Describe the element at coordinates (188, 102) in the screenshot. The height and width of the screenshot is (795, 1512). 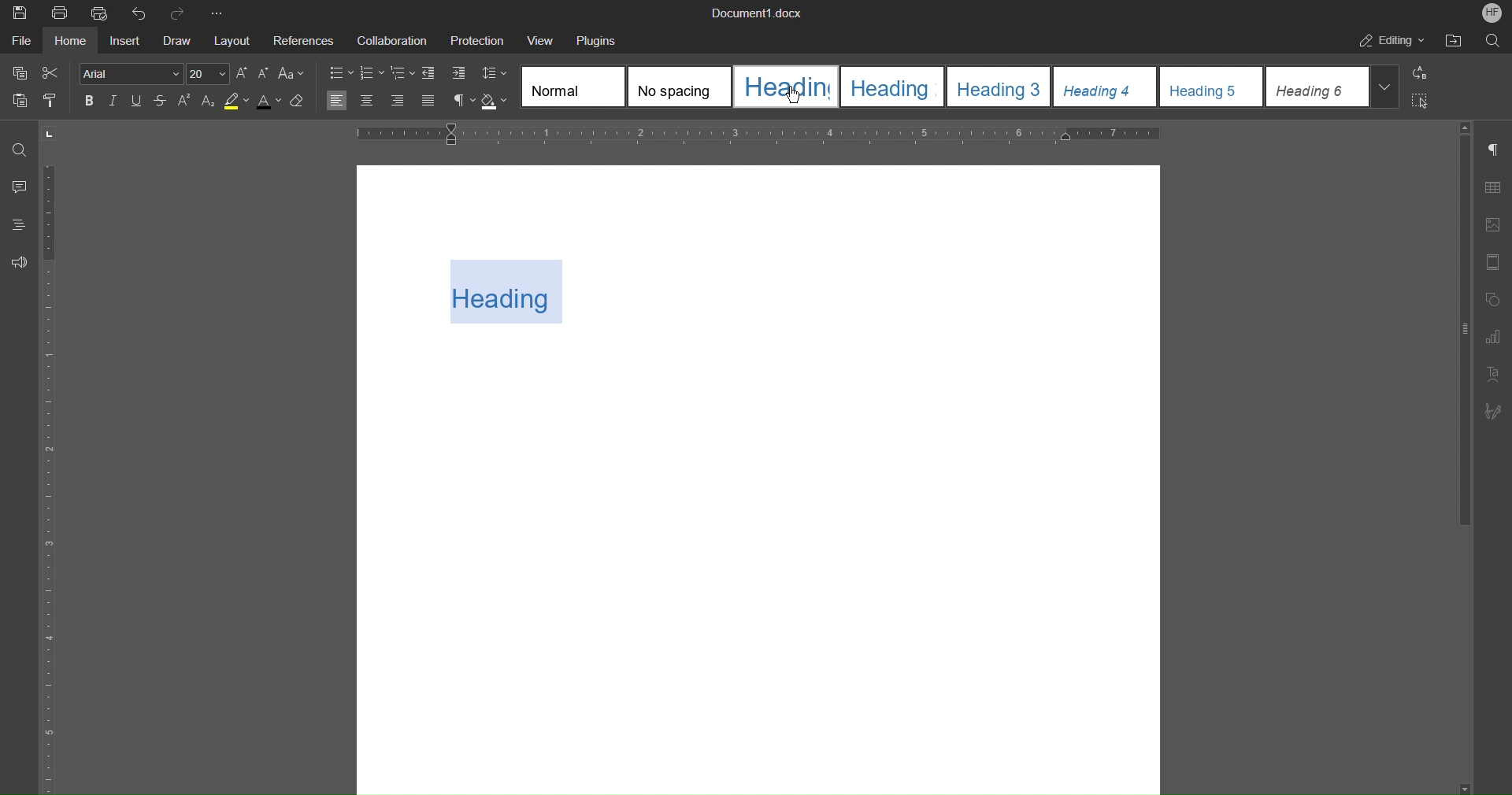
I see `Superscript` at that location.